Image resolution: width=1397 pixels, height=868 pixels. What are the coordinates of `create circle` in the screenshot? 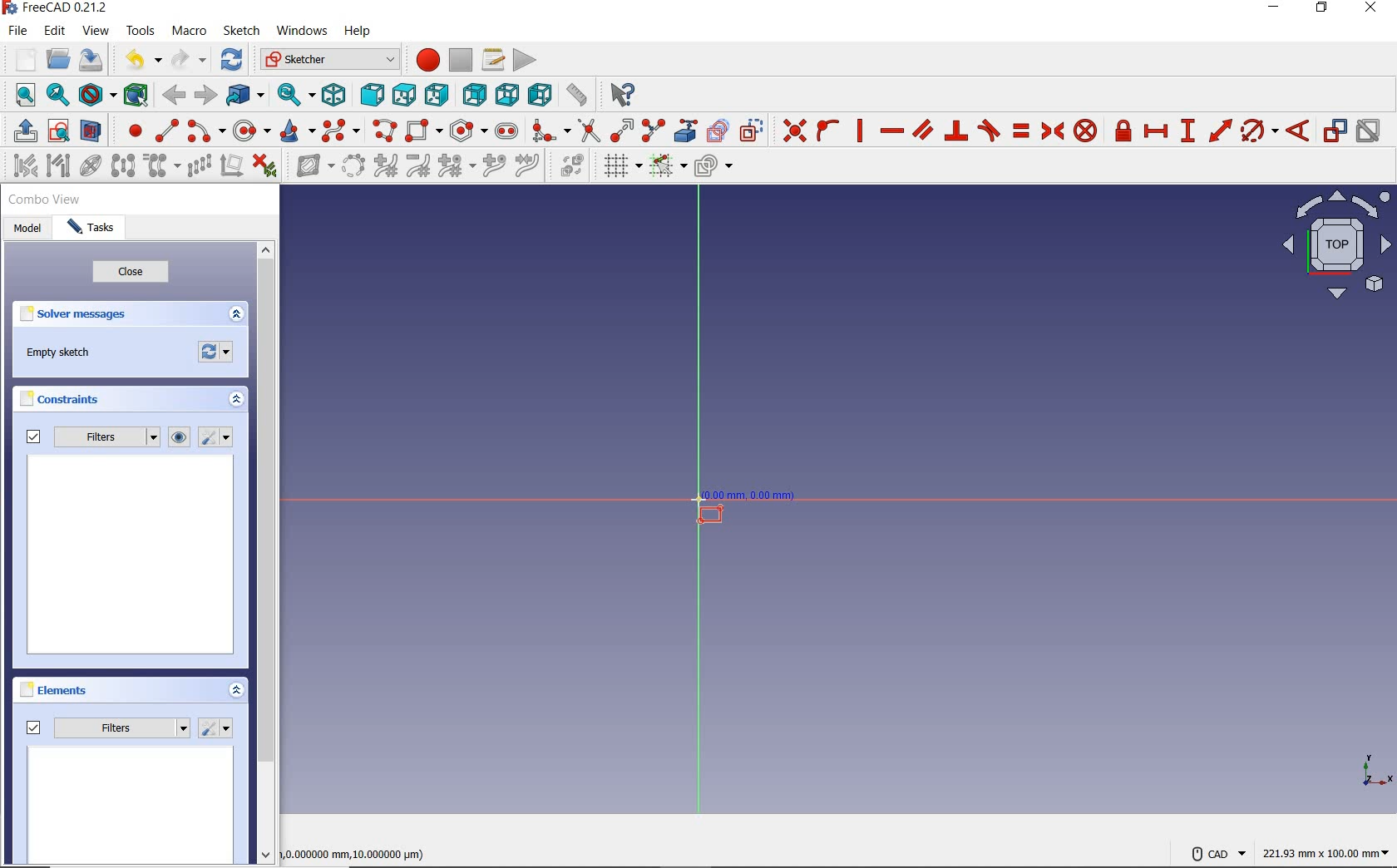 It's located at (251, 132).